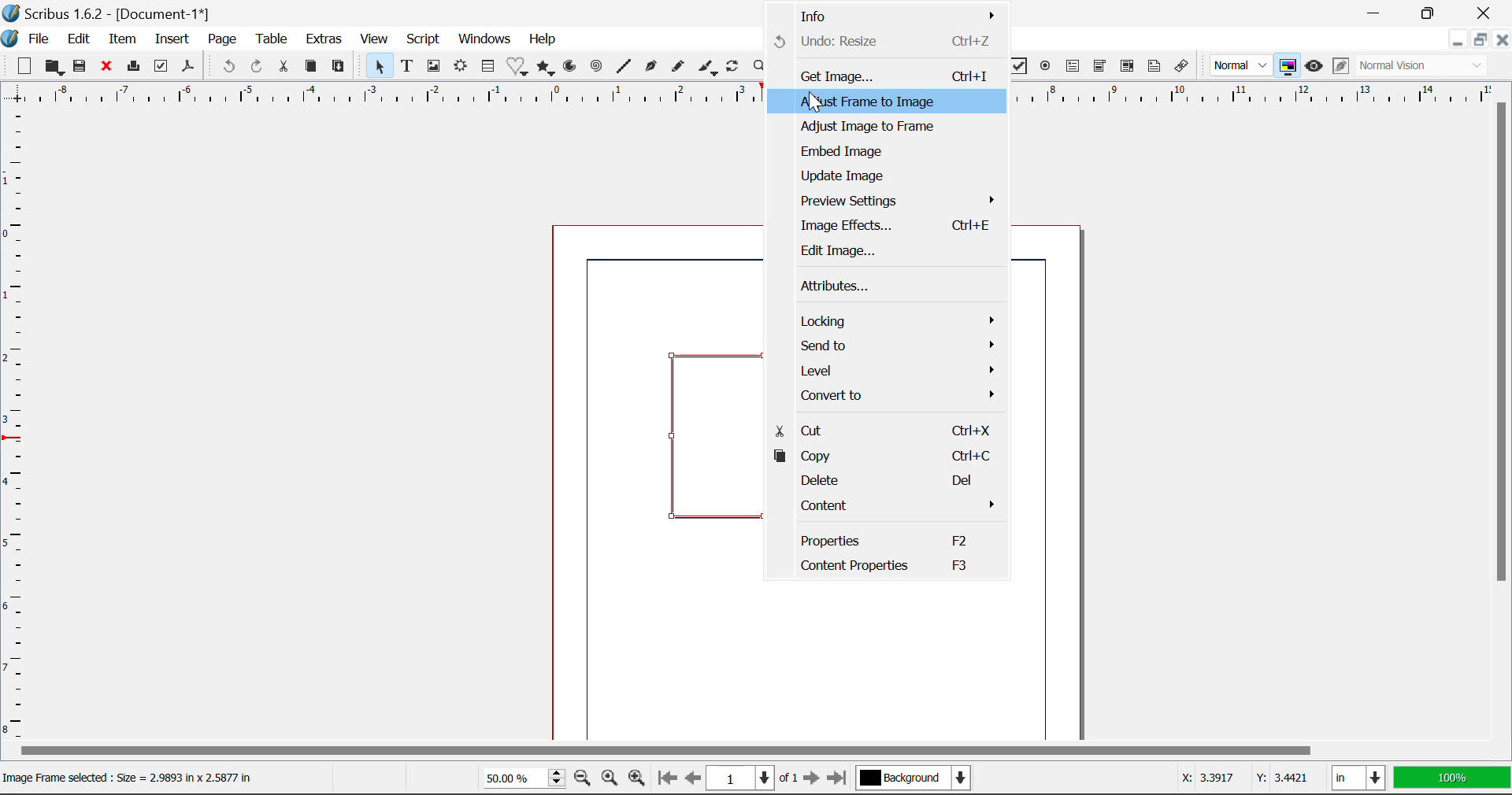 This screenshot has height=795, width=1512. I want to click on Pdf Radio Button, so click(1046, 67).